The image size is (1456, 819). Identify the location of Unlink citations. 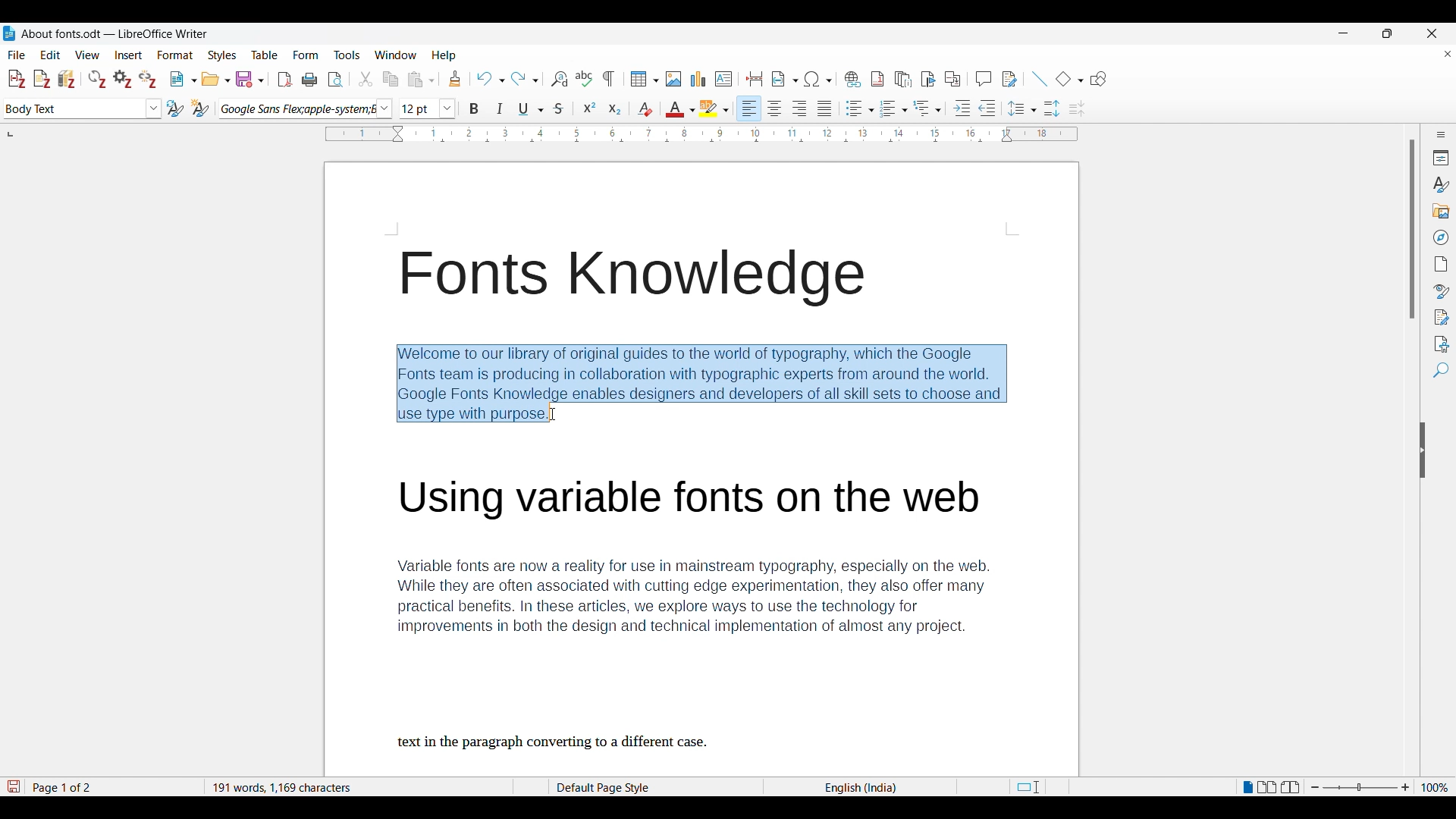
(147, 79).